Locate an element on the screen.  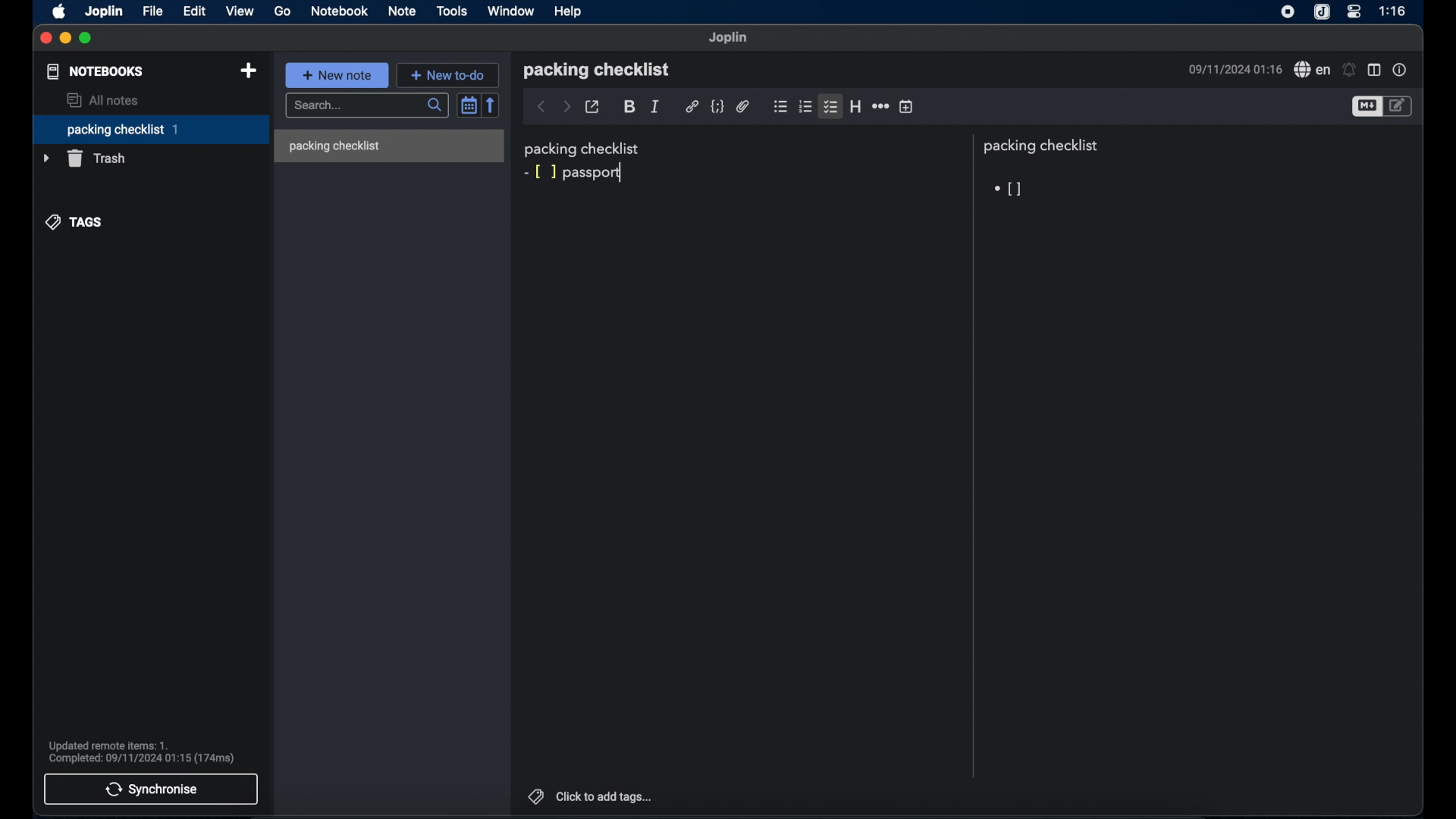
synchronise is located at coordinates (150, 789).